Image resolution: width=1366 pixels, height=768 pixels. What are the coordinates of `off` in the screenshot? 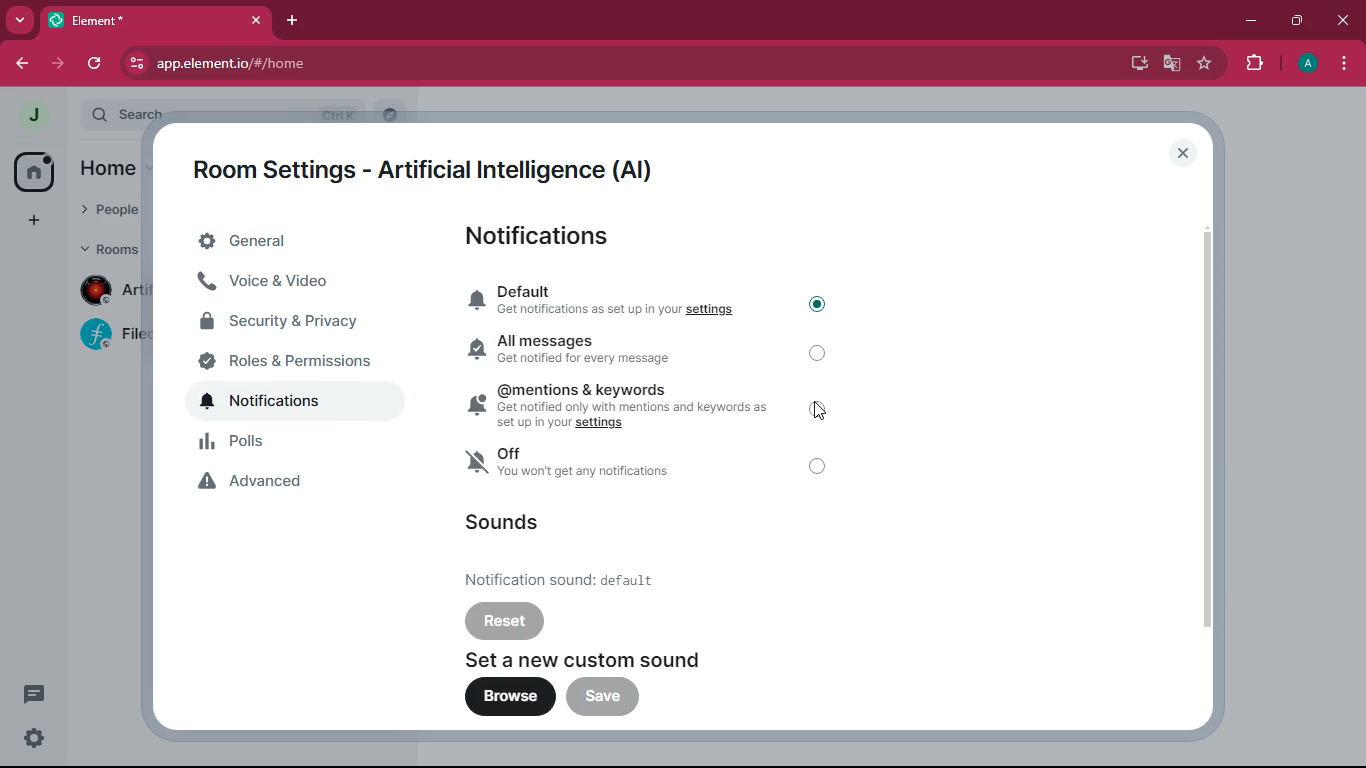 It's located at (819, 355).